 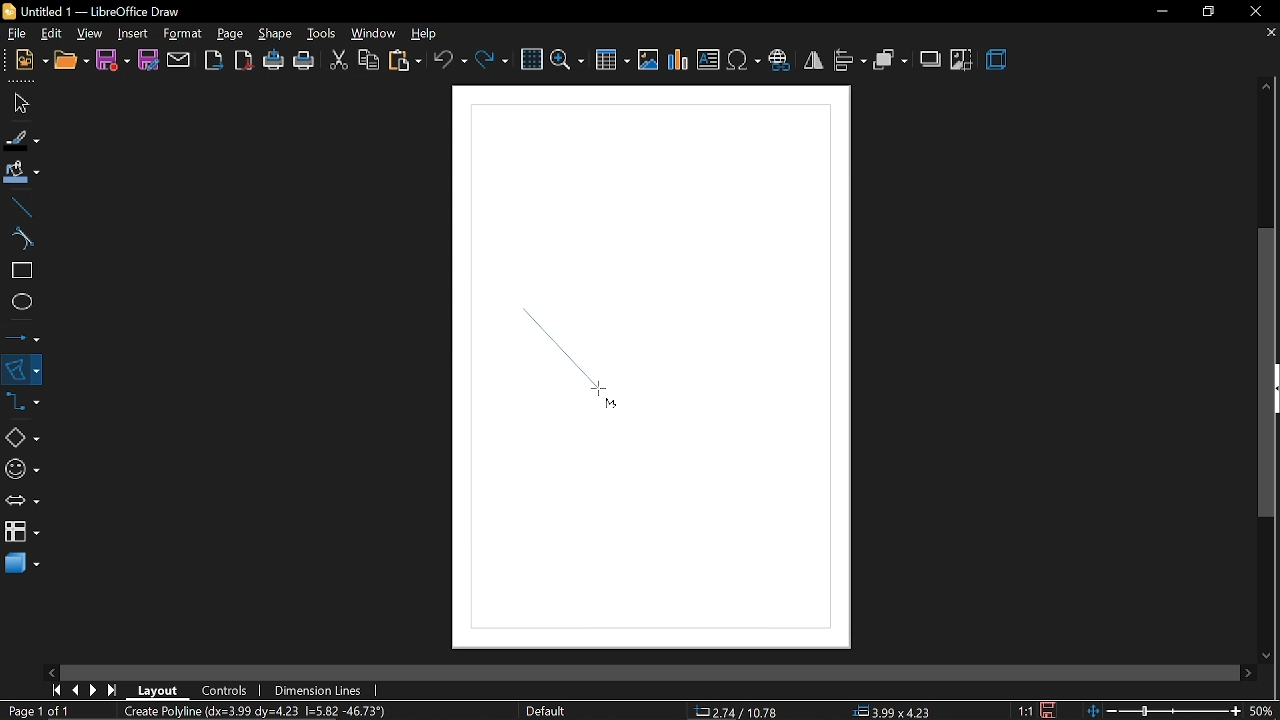 What do you see at coordinates (275, 37) in the screenshot?
I see `shape` at bounding box center [275, 37].